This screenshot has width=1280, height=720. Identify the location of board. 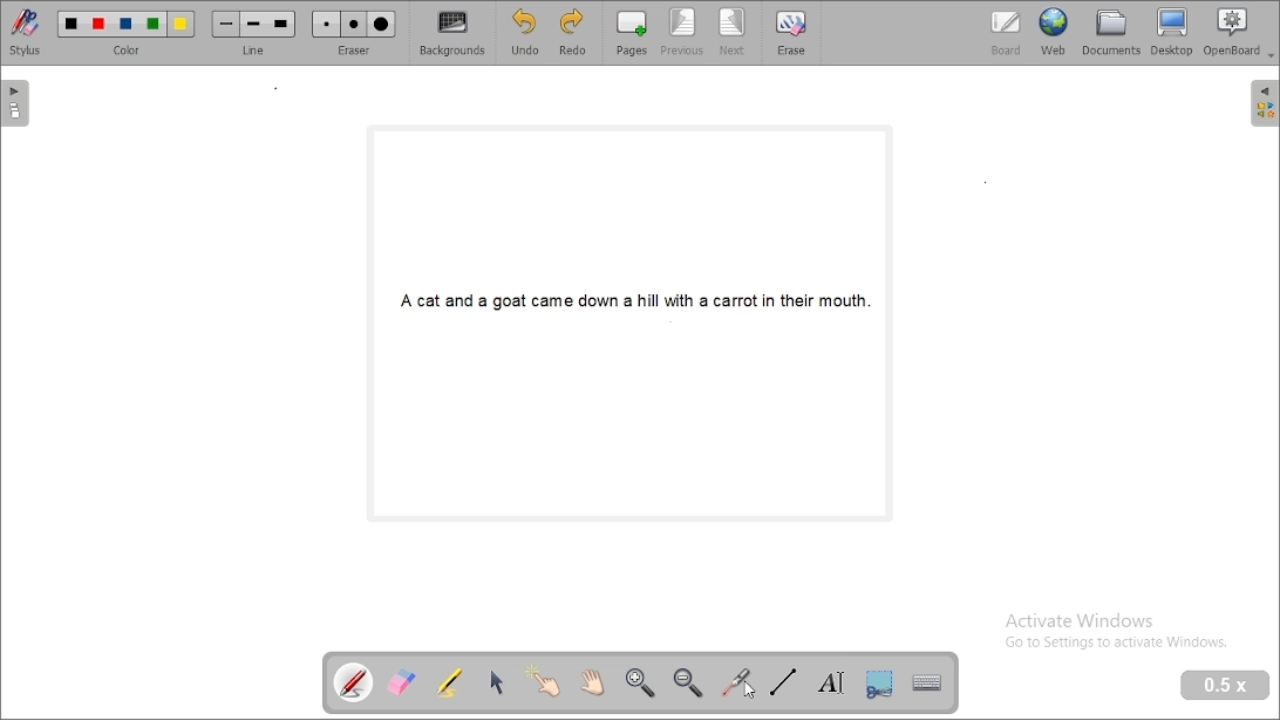
(1005, 34).